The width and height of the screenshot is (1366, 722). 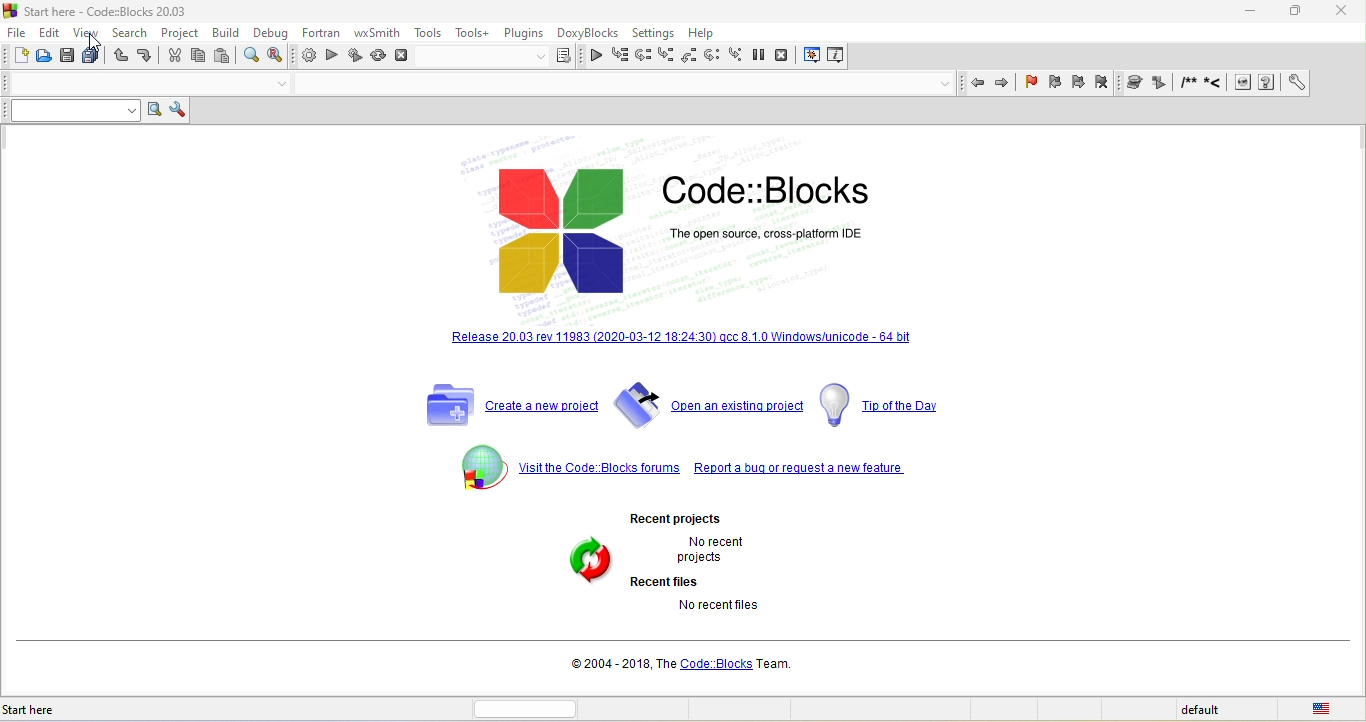 I want to click on cursor, so click(x=94, y=40).